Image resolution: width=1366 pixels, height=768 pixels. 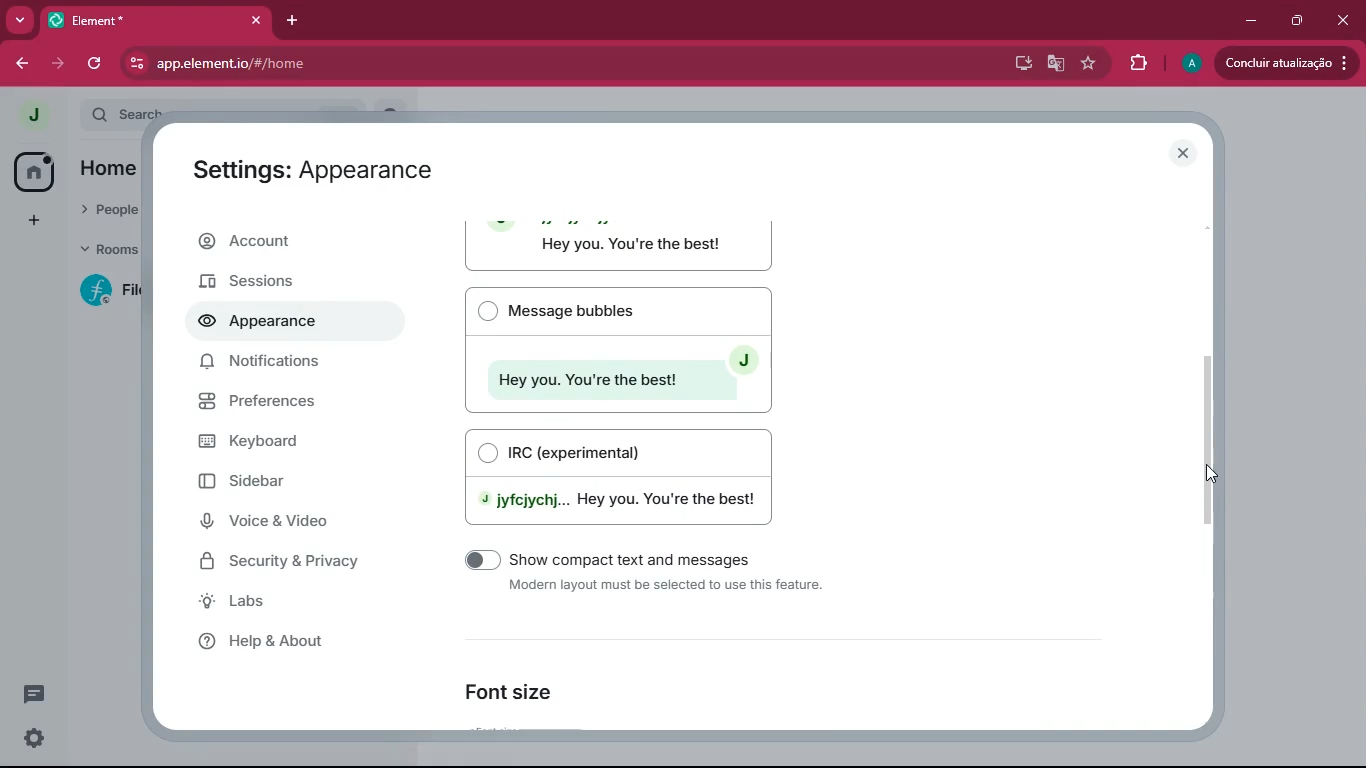 I want to click on font size, so click(x=522, y=691).